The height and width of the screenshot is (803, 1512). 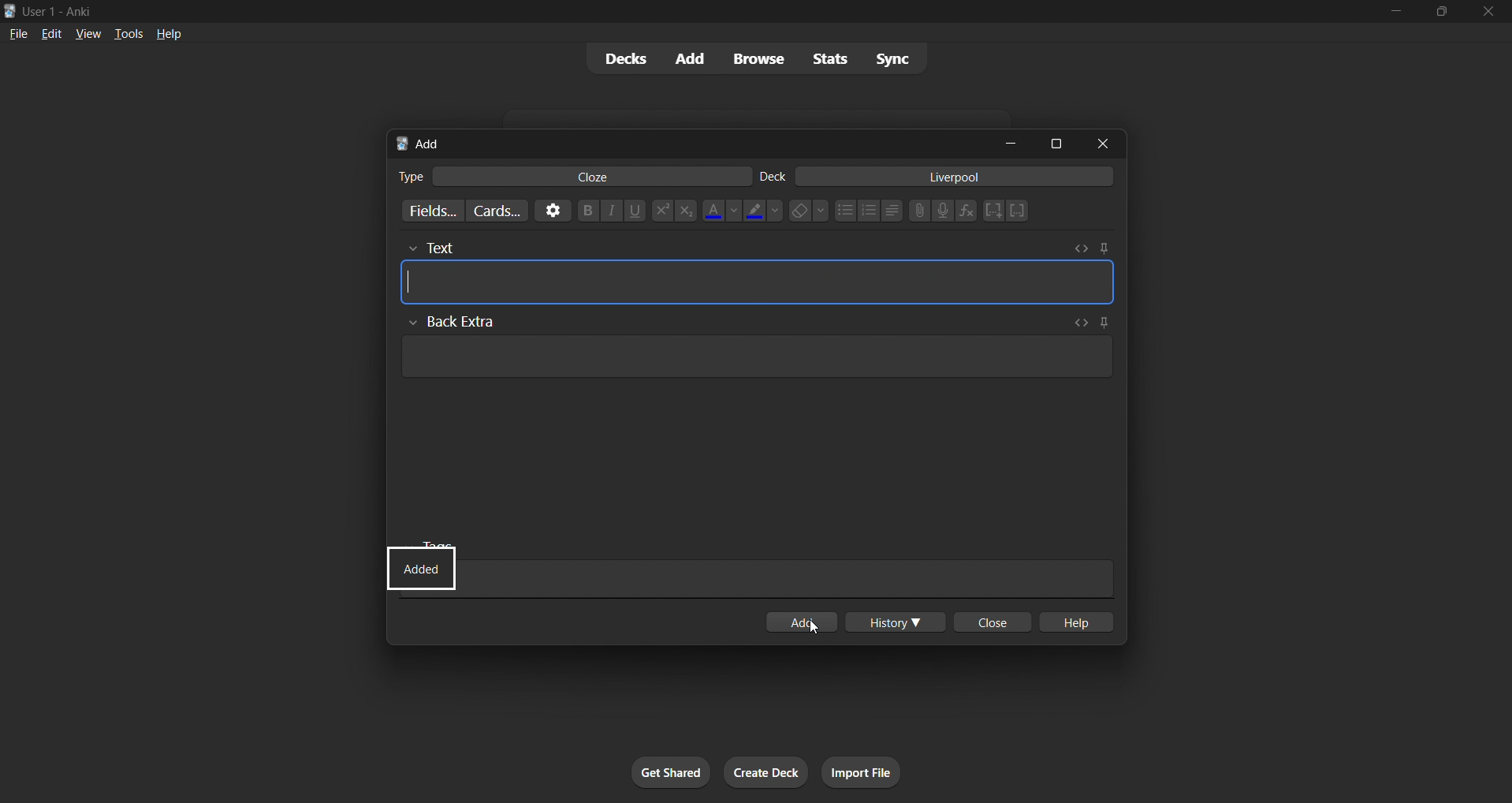 I want to click on underline, so click(x=635, y=215).